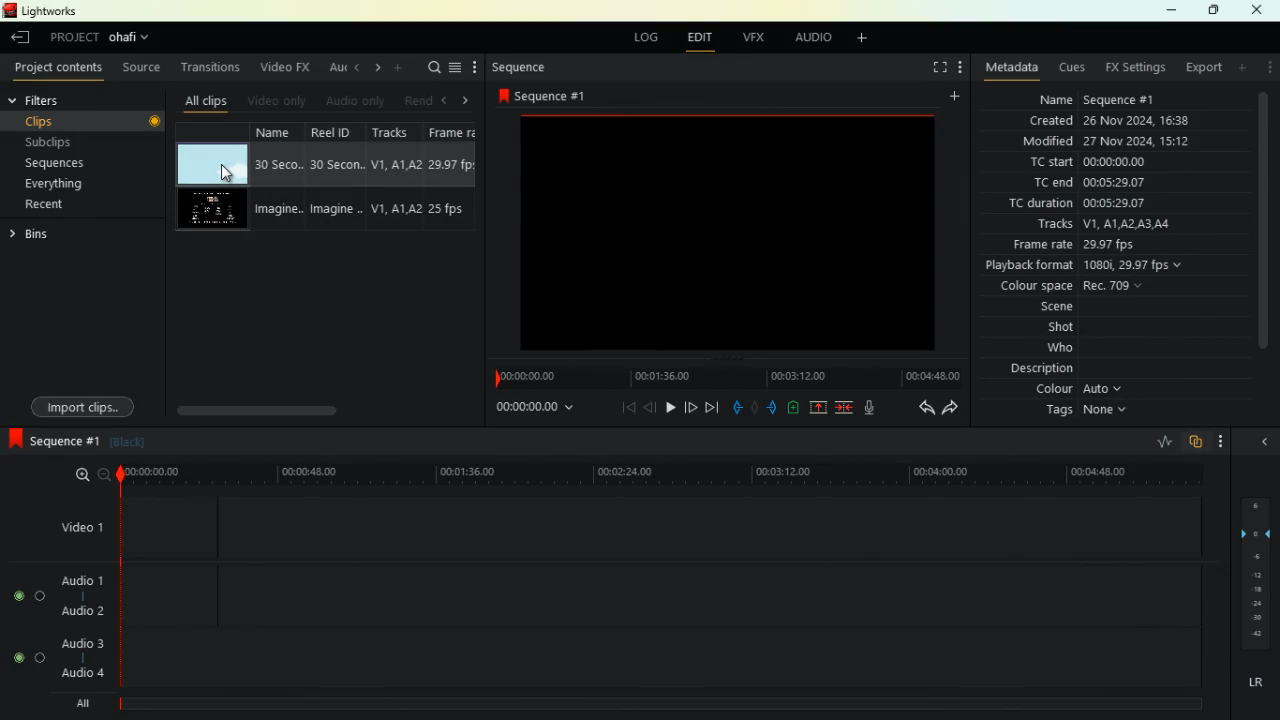 The image size is (1280, 720). Describe the element at coordinates (819, 410) in the screenshot. I see `up` at that location.